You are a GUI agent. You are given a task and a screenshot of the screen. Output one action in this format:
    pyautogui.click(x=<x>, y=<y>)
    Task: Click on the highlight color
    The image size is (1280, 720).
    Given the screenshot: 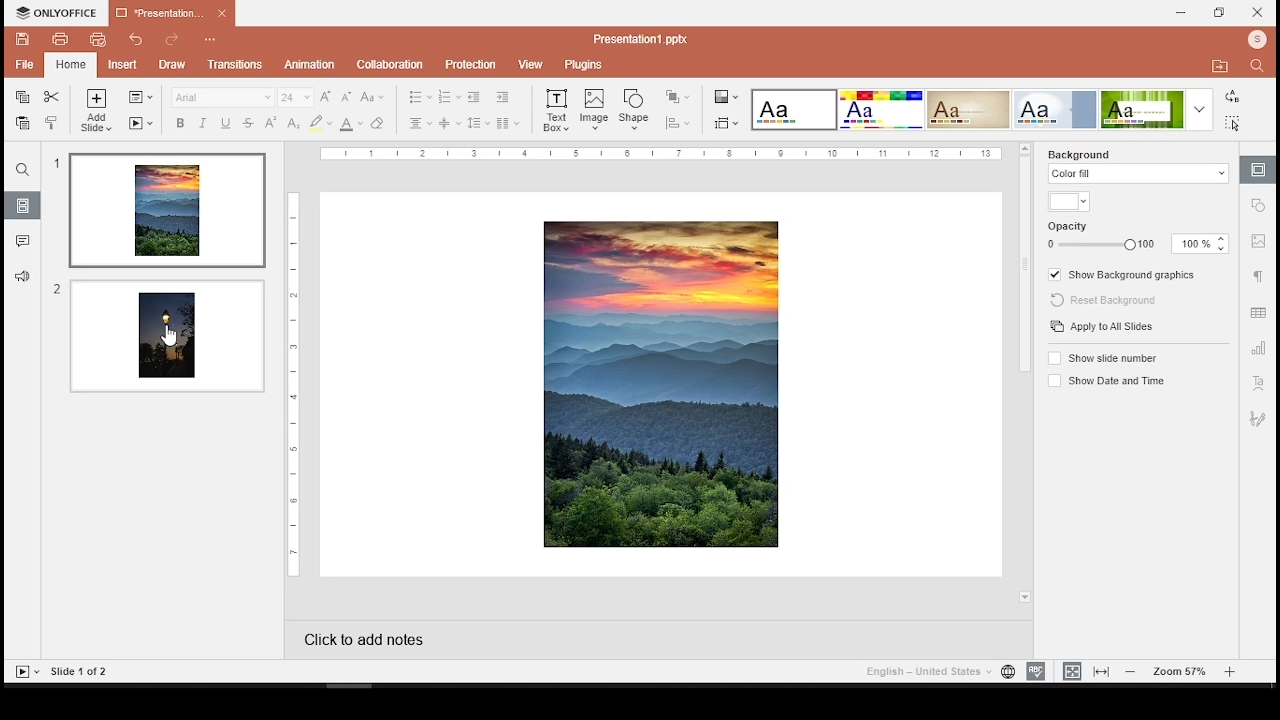 What is the action you would take?
    pyautogui.click(x=320, y=122)
    